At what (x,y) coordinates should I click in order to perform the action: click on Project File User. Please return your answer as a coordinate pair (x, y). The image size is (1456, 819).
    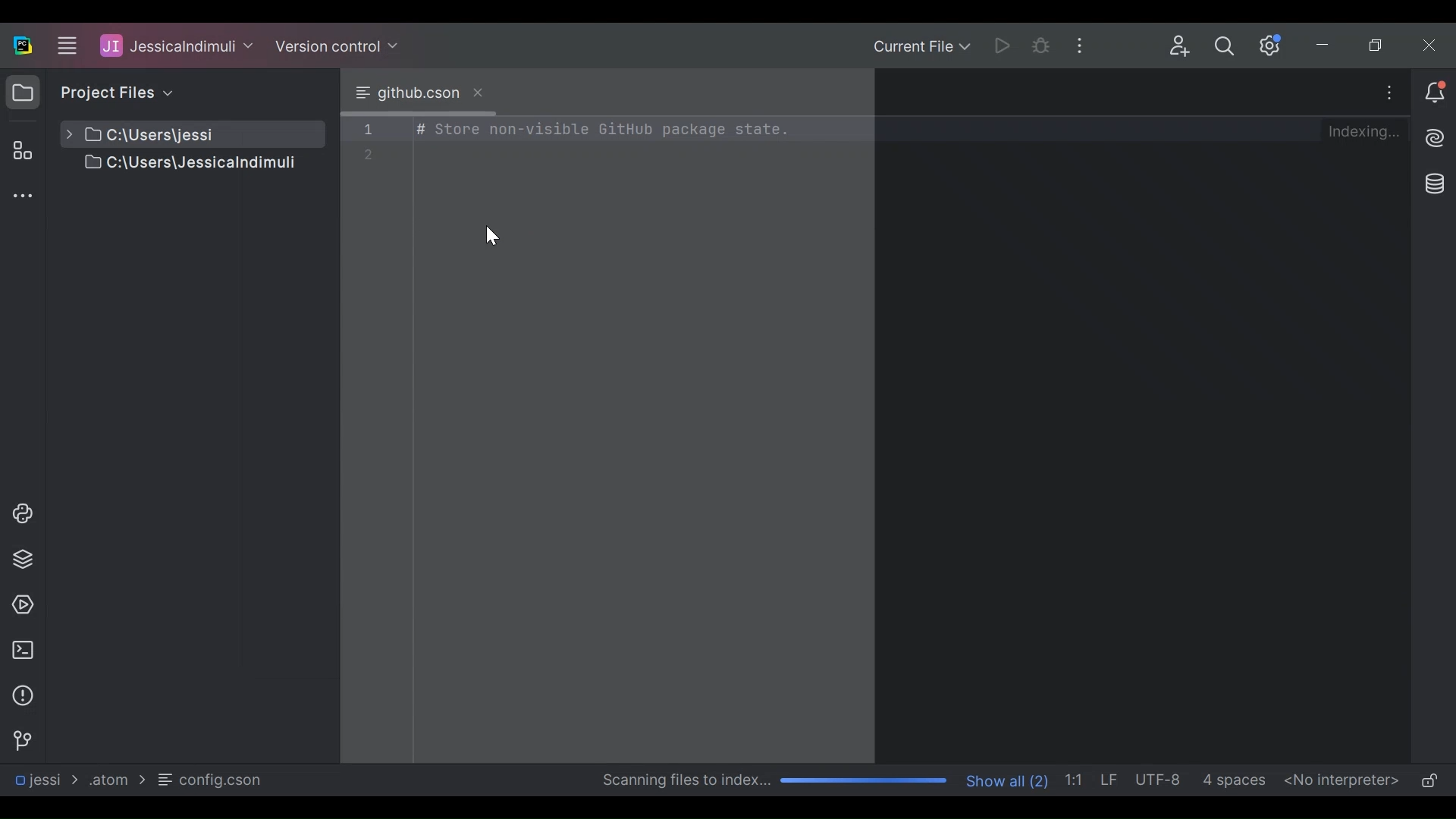
    Looking at the image, I should click on (177, 46).